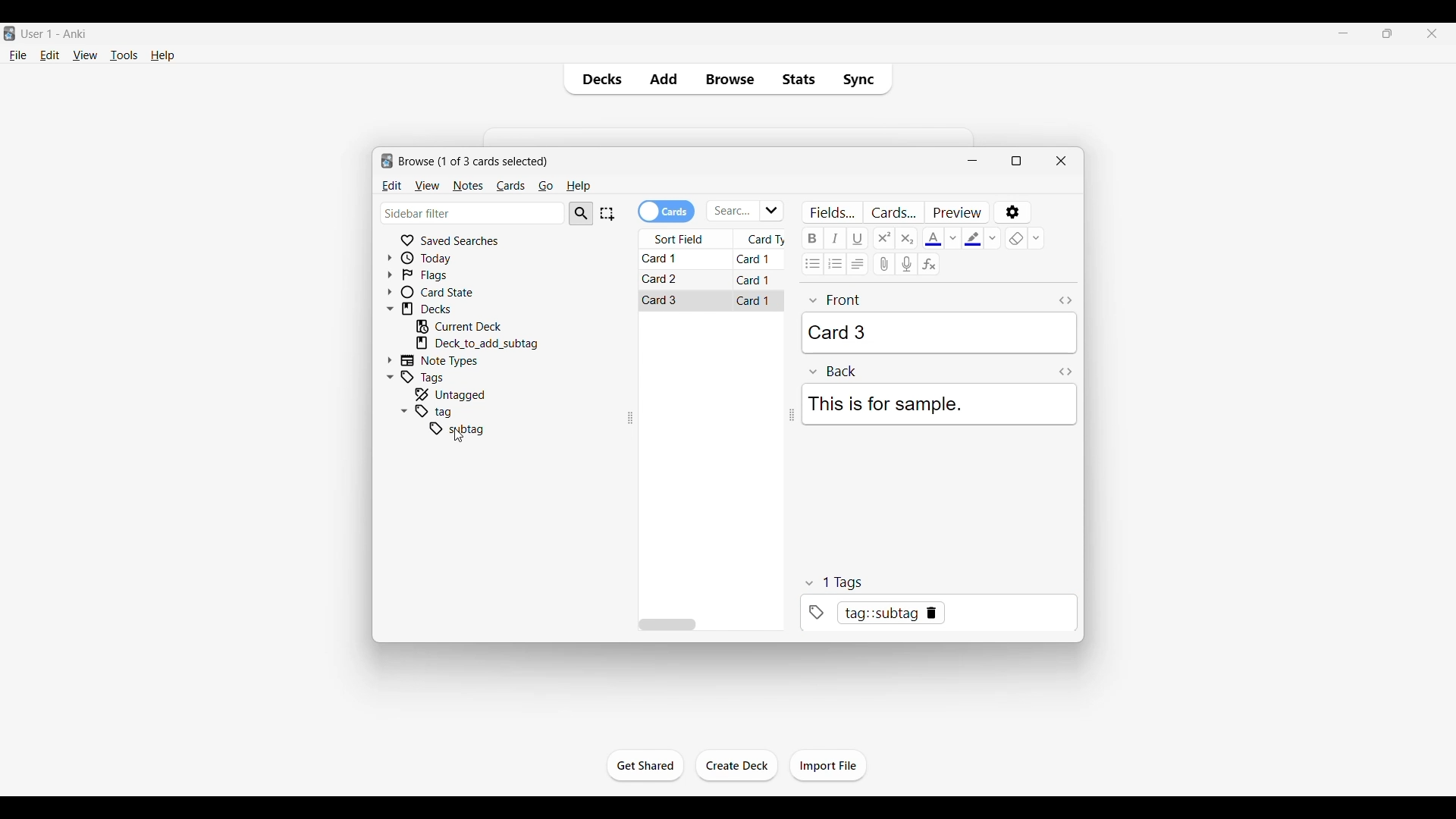  I want to click on Toggle cards/notes, so click(666, 212).